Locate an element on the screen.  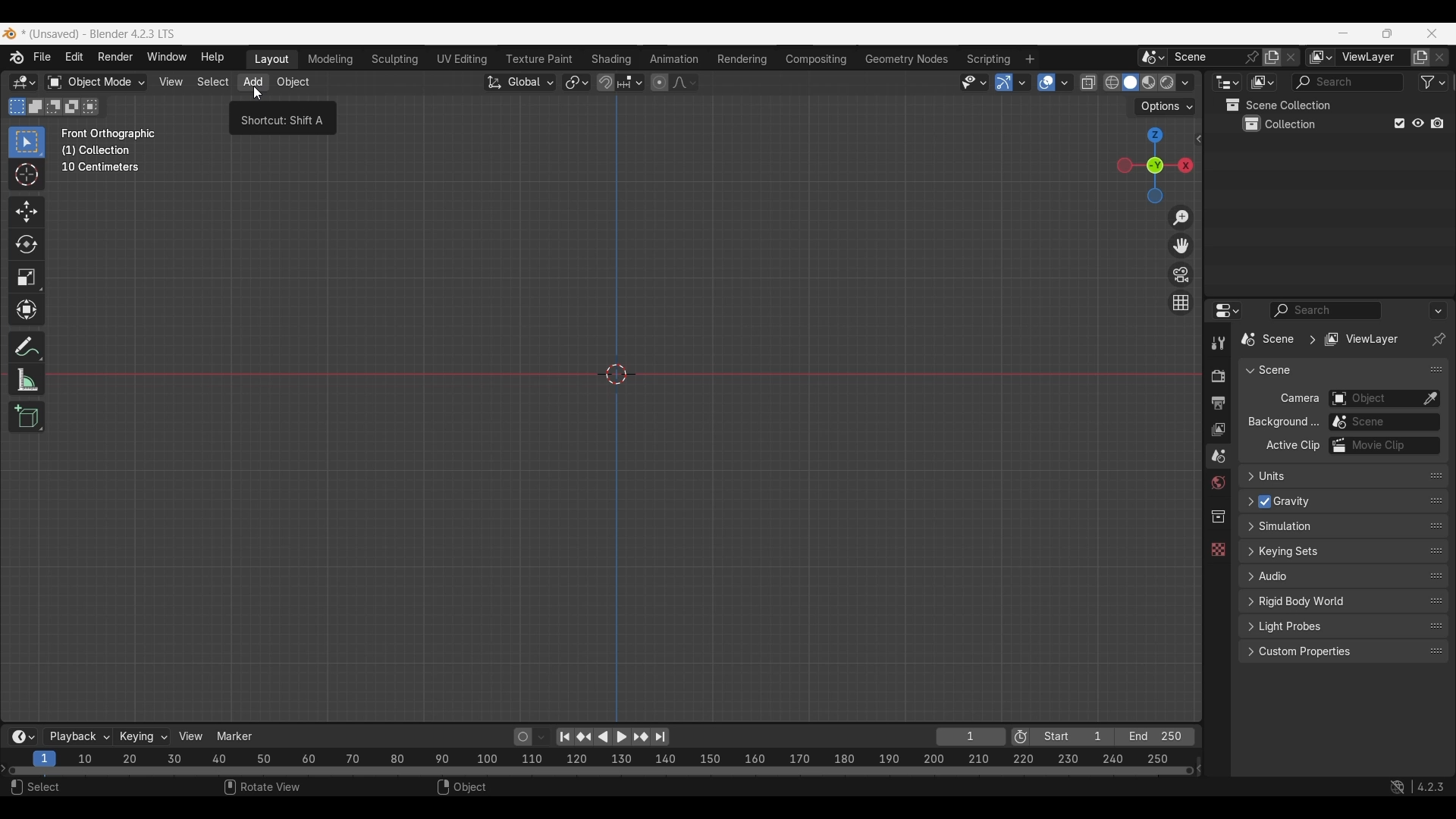
Change position in the list  is located at coordinates (1436, 475).